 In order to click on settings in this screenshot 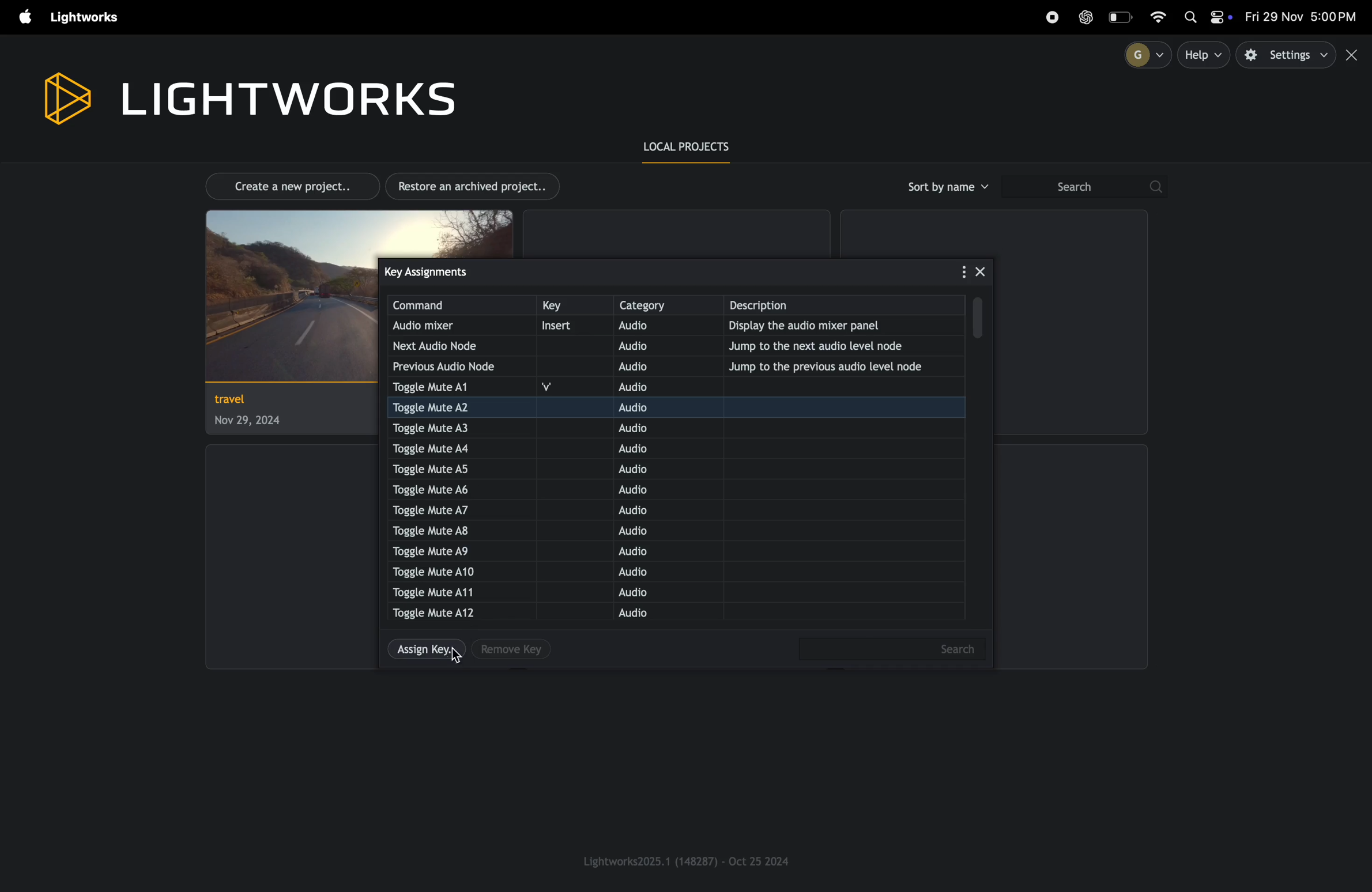, I will do `click(1287, 55)`.